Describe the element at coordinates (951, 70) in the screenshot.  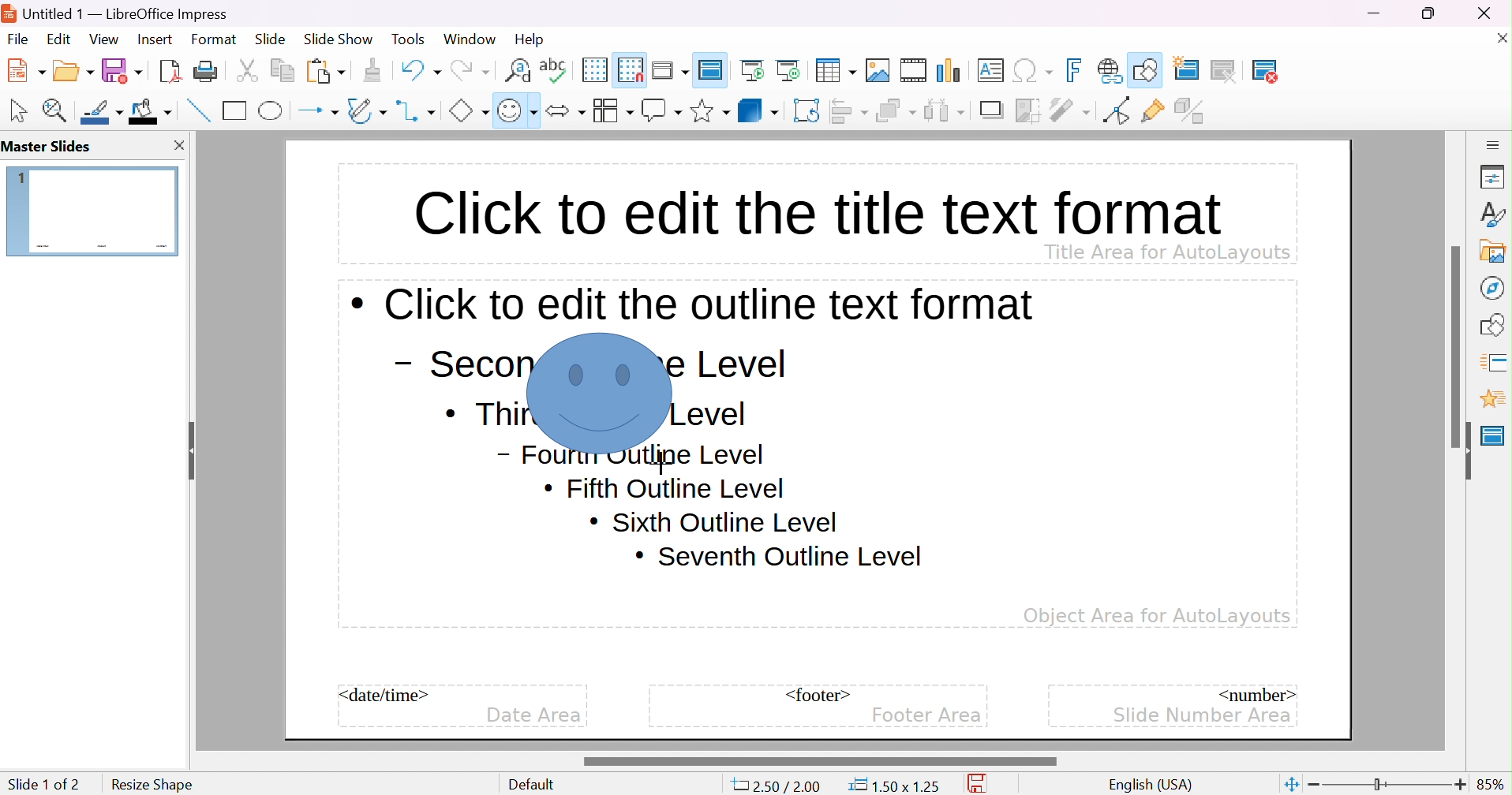
I see `insert chart` at that location.